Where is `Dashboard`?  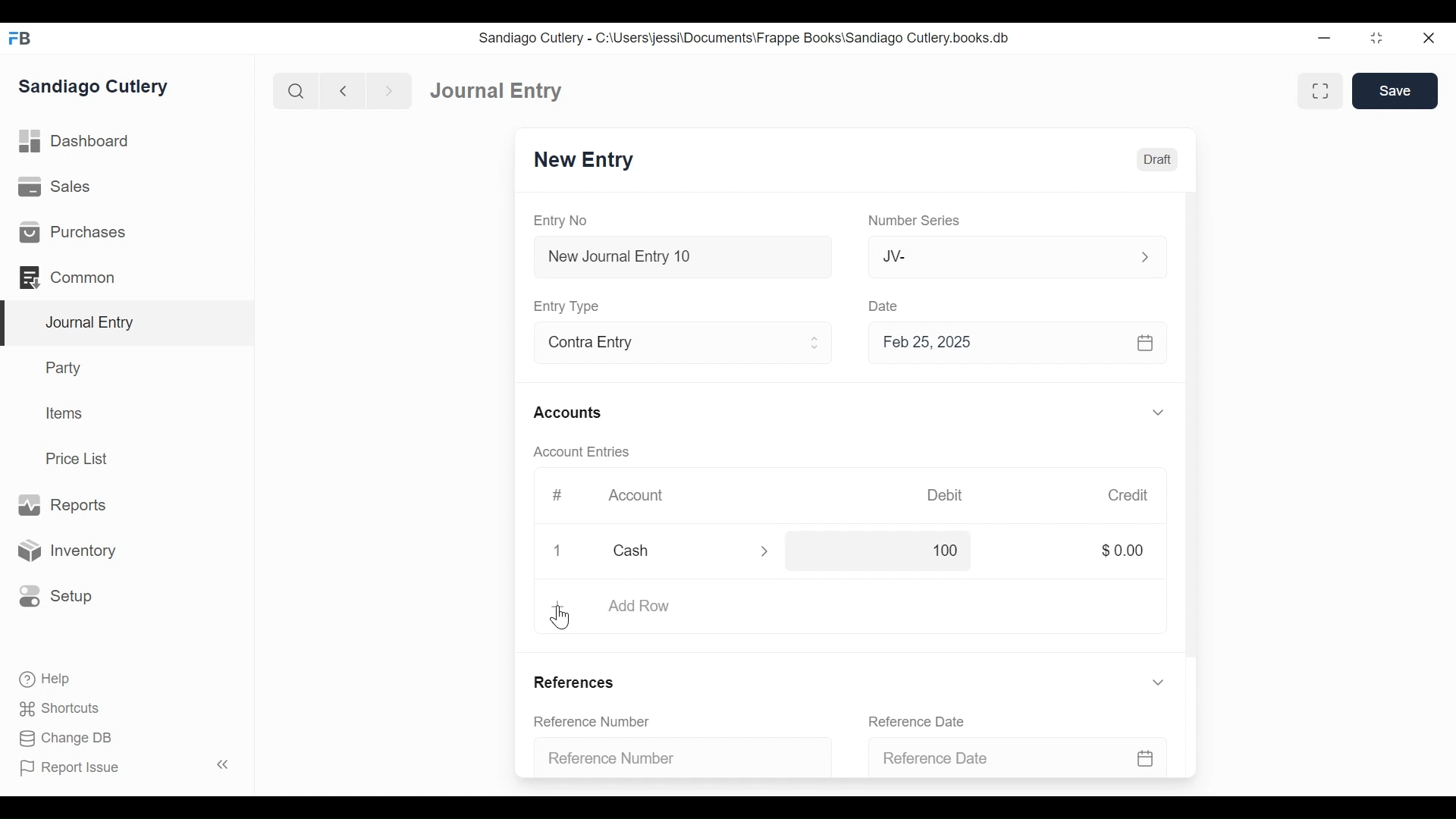
Dashboard is located at coordinates (80, 143).